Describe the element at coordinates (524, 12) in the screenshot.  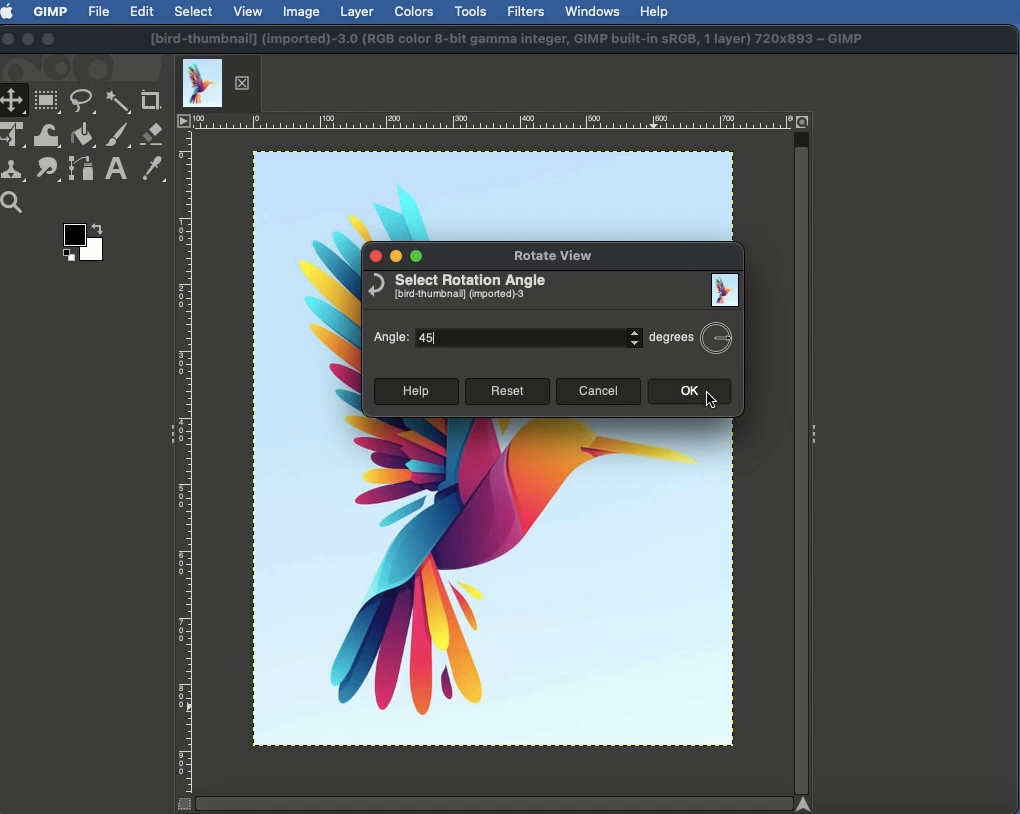
I see `Filters` at that location.